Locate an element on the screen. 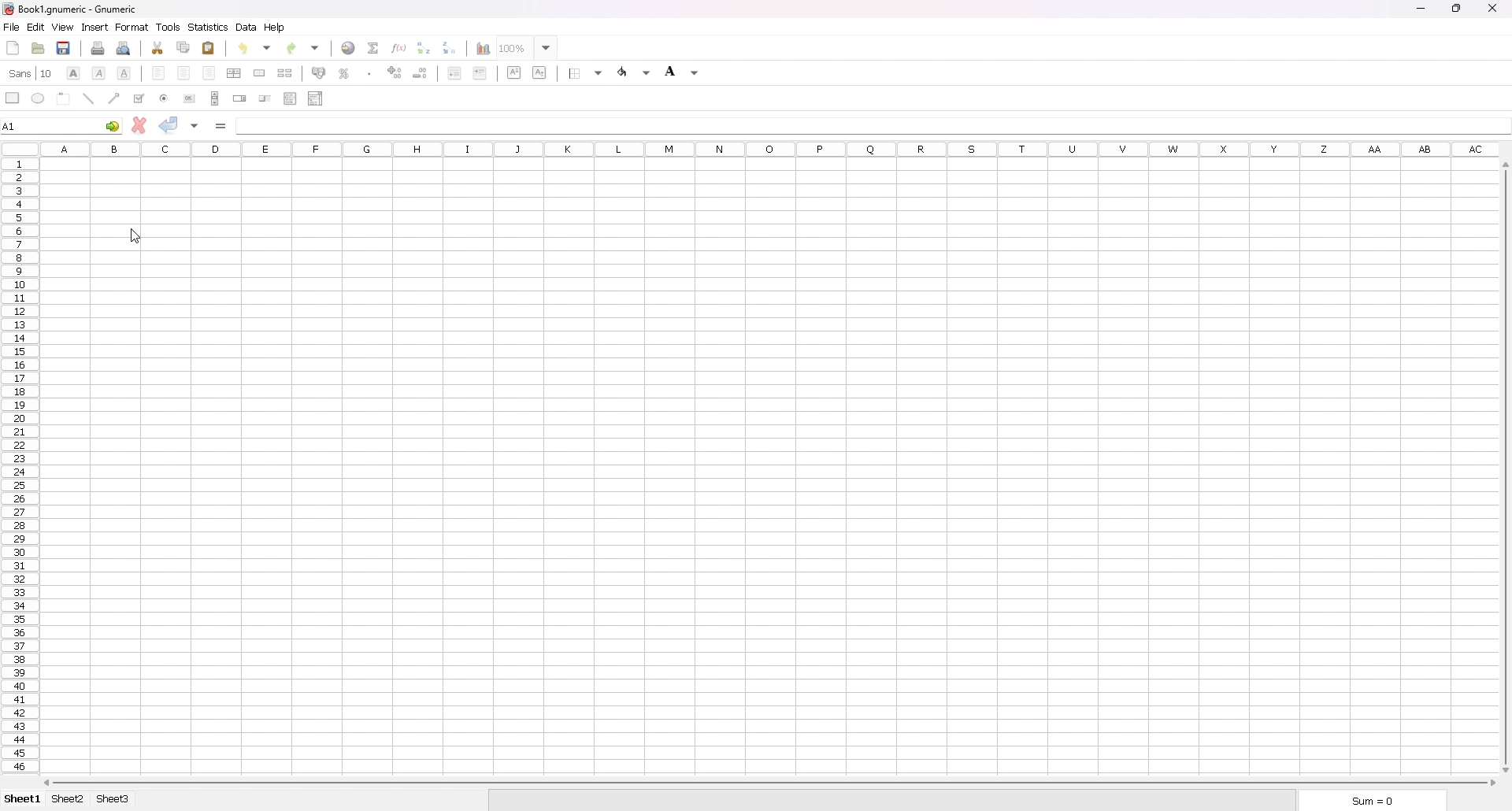 The height and width of the screenshot is (811, 1512). close is located at coordinates (1492, 8).